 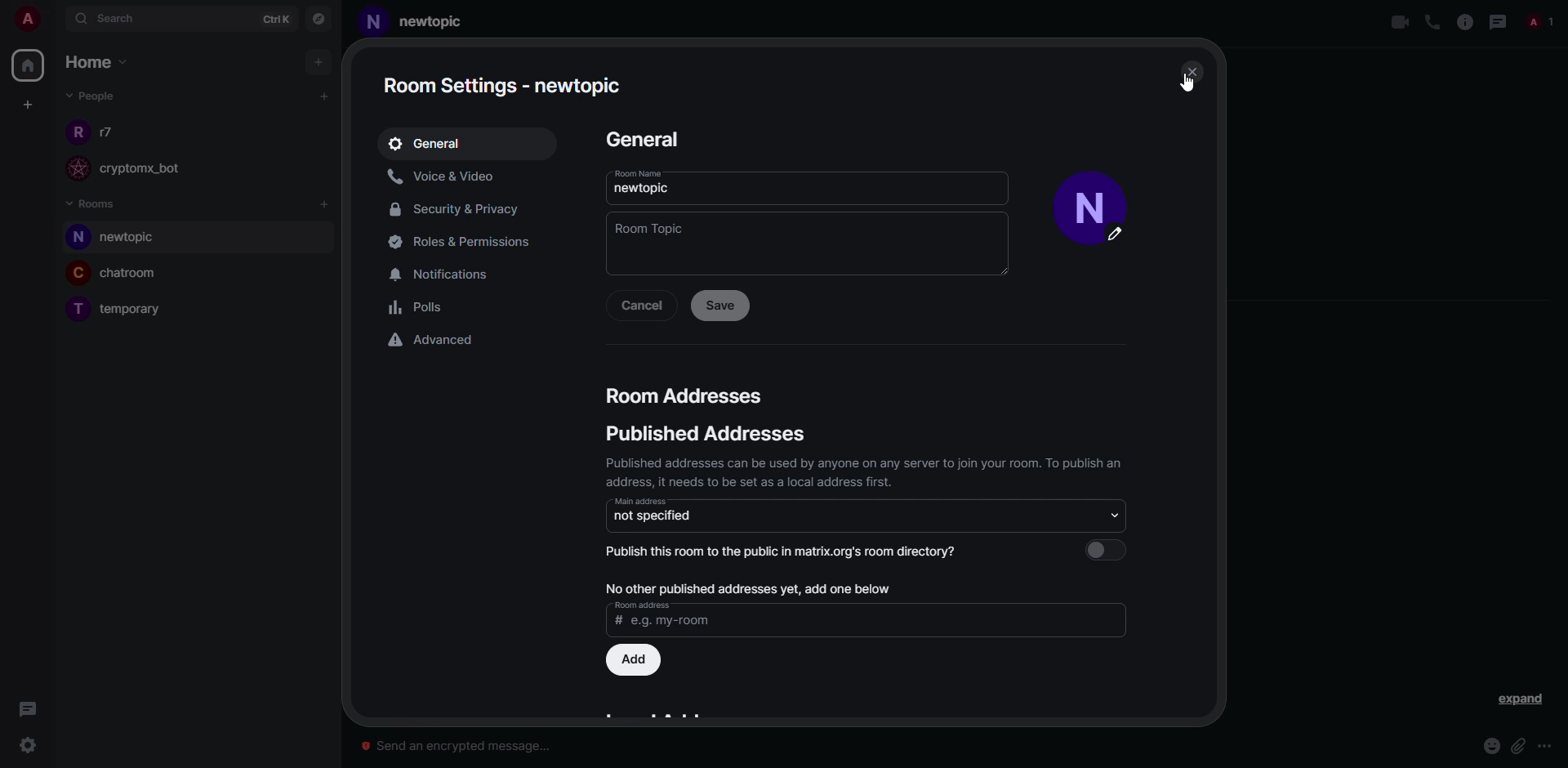 What do you see at coordinates (1499, 21) in the screenshot?
I see `threads` at bounding box center [1499, 21].